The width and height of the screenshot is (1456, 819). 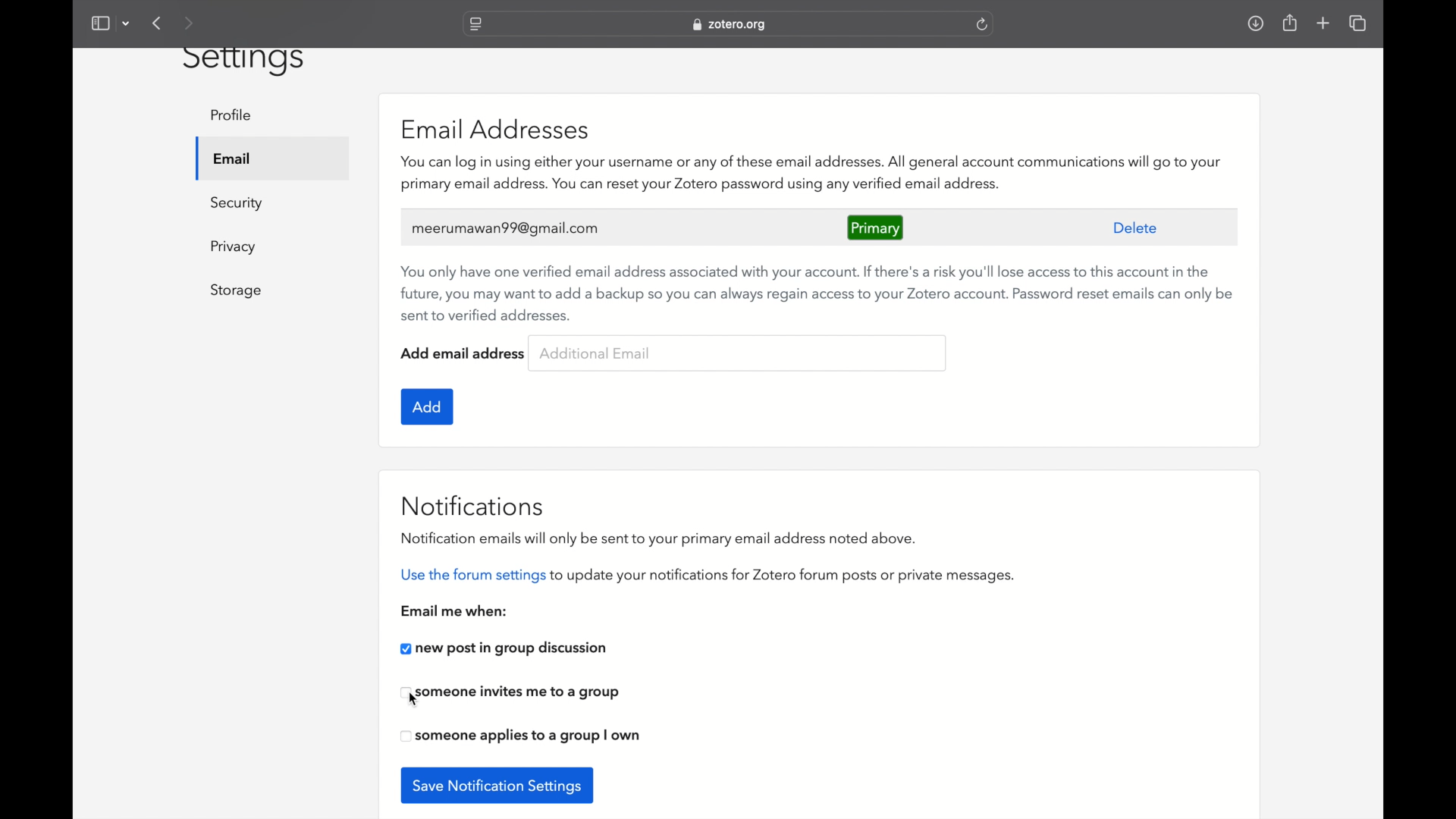 What do you see at coordinates (504, 228) in the screenshot?
I see `user's email address` at bounding box center [504, 228].